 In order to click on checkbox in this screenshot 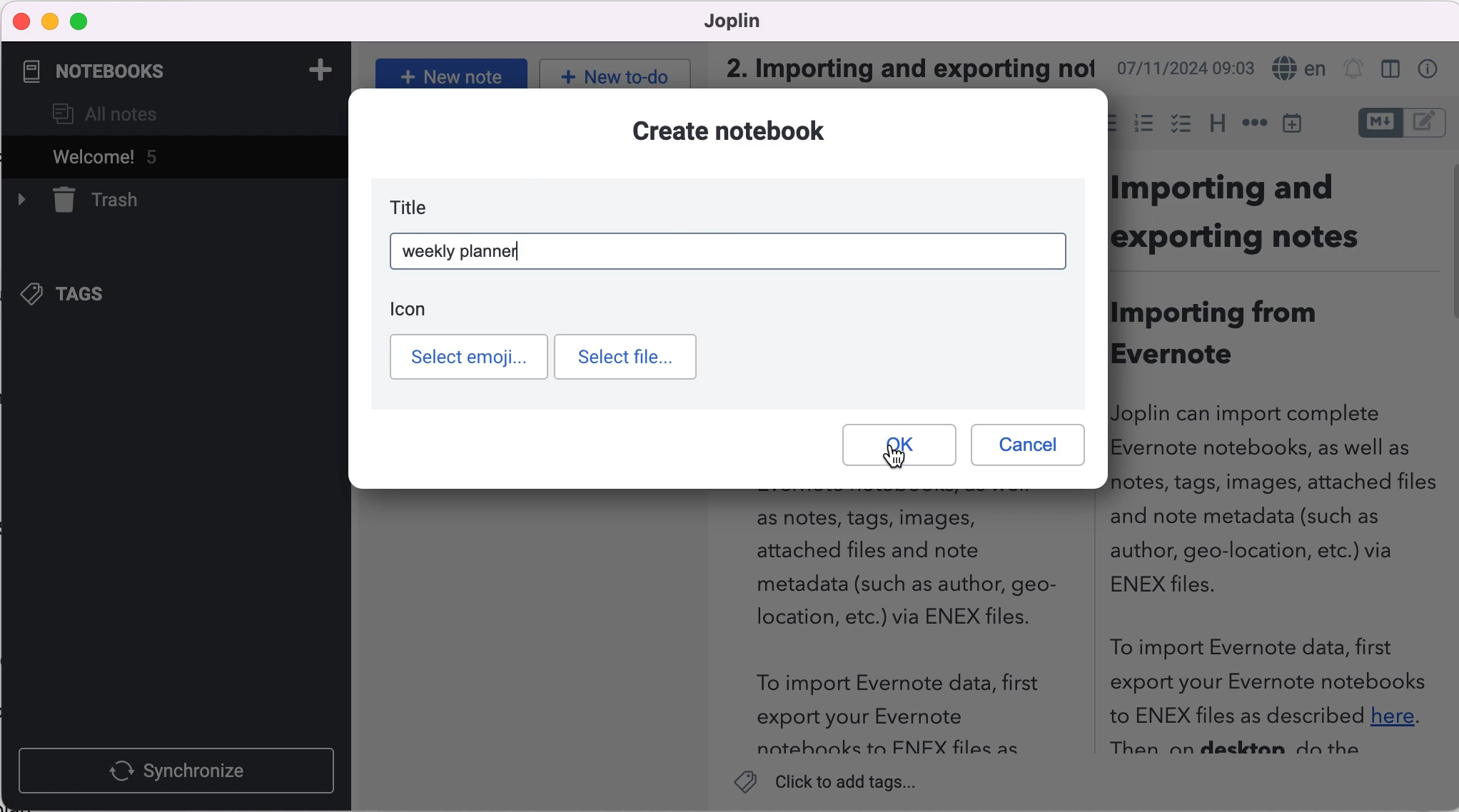, I will do `click(1181, 124)`.